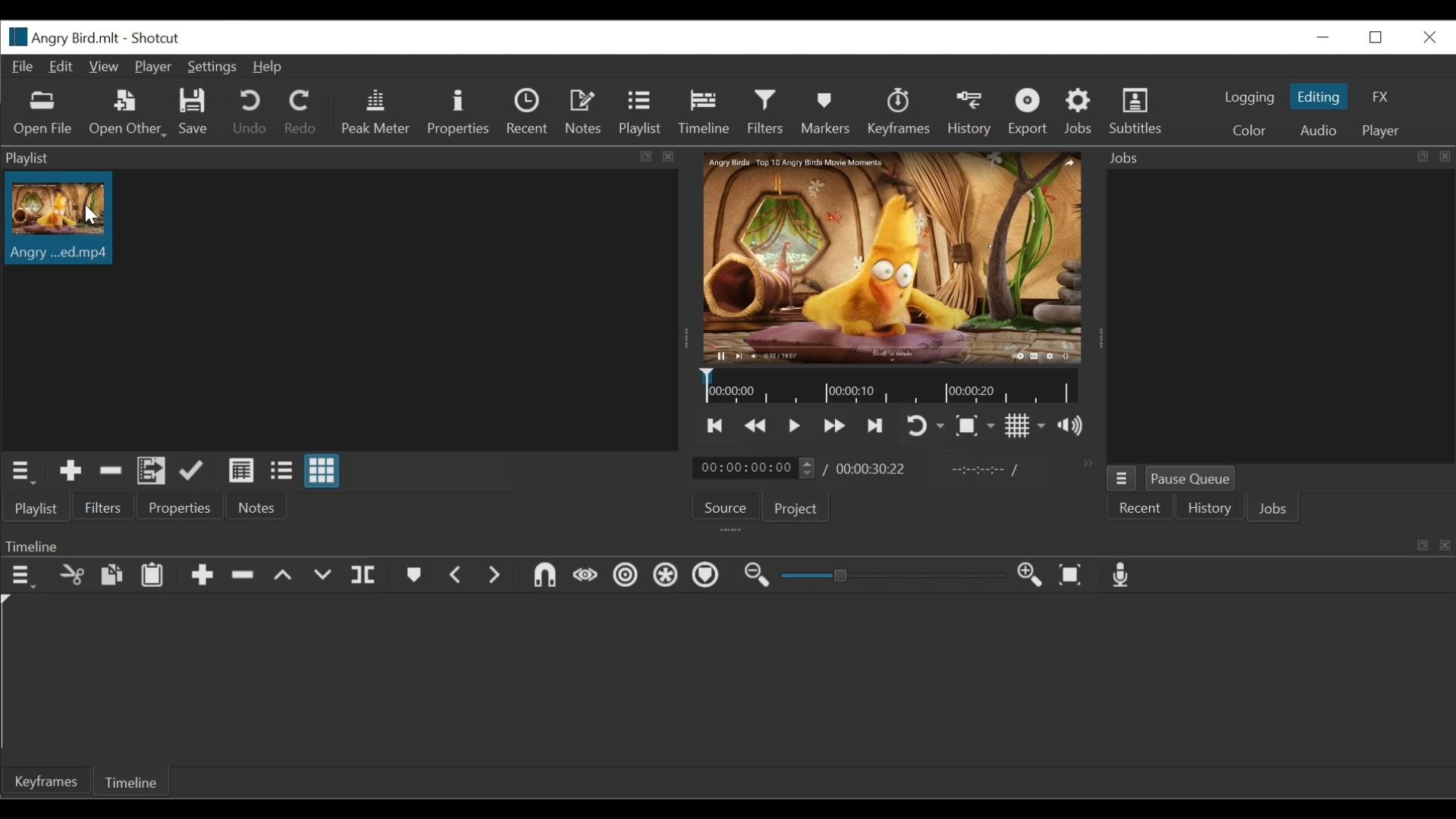 The height and width of the screenshot is (819, 1456). Describe the element at coordinates (890, 576) in the screenshot. I see `Zoom slider` at that location.